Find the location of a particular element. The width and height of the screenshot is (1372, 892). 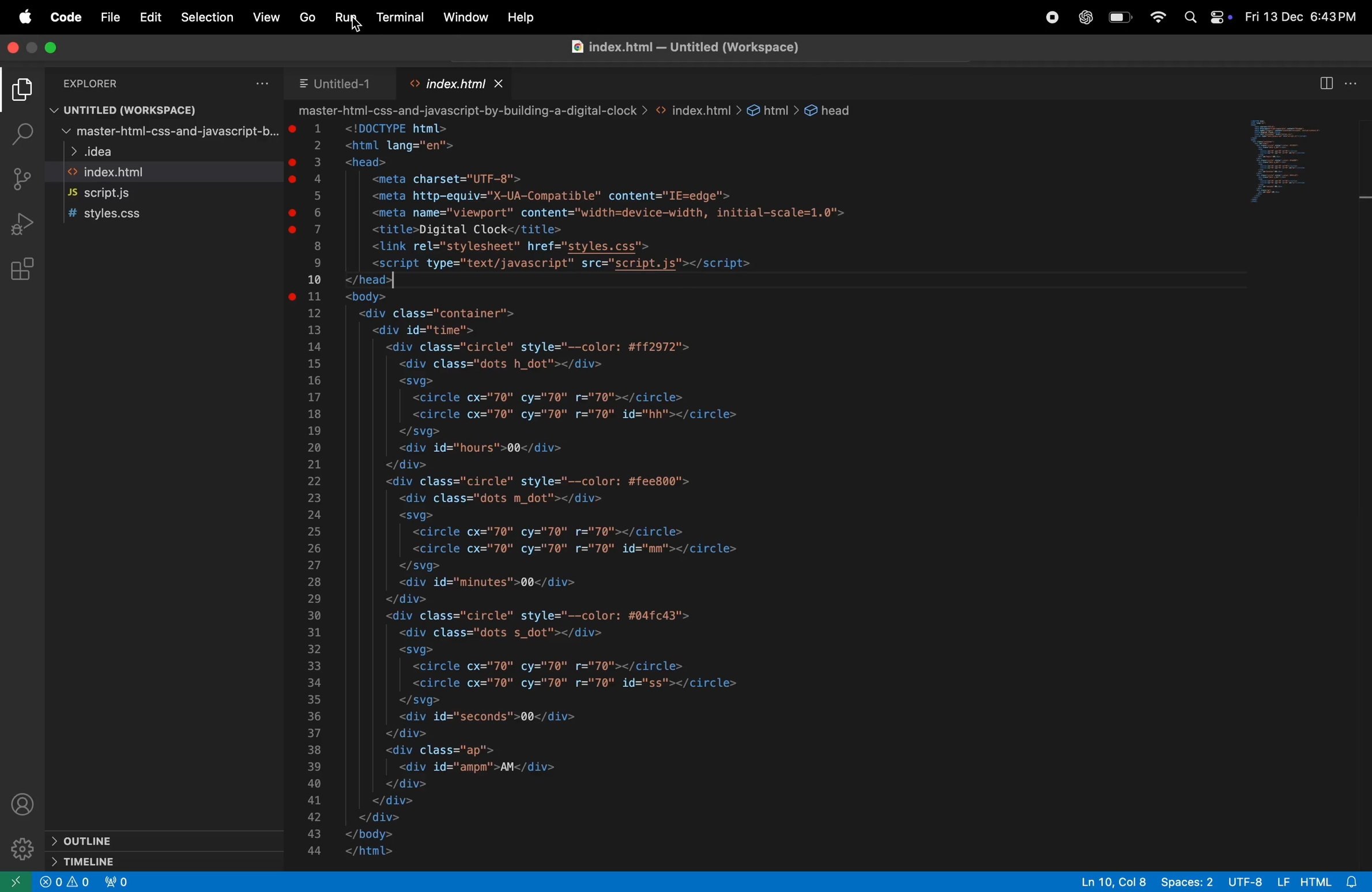

Selection is located at coordinates (209, 17).